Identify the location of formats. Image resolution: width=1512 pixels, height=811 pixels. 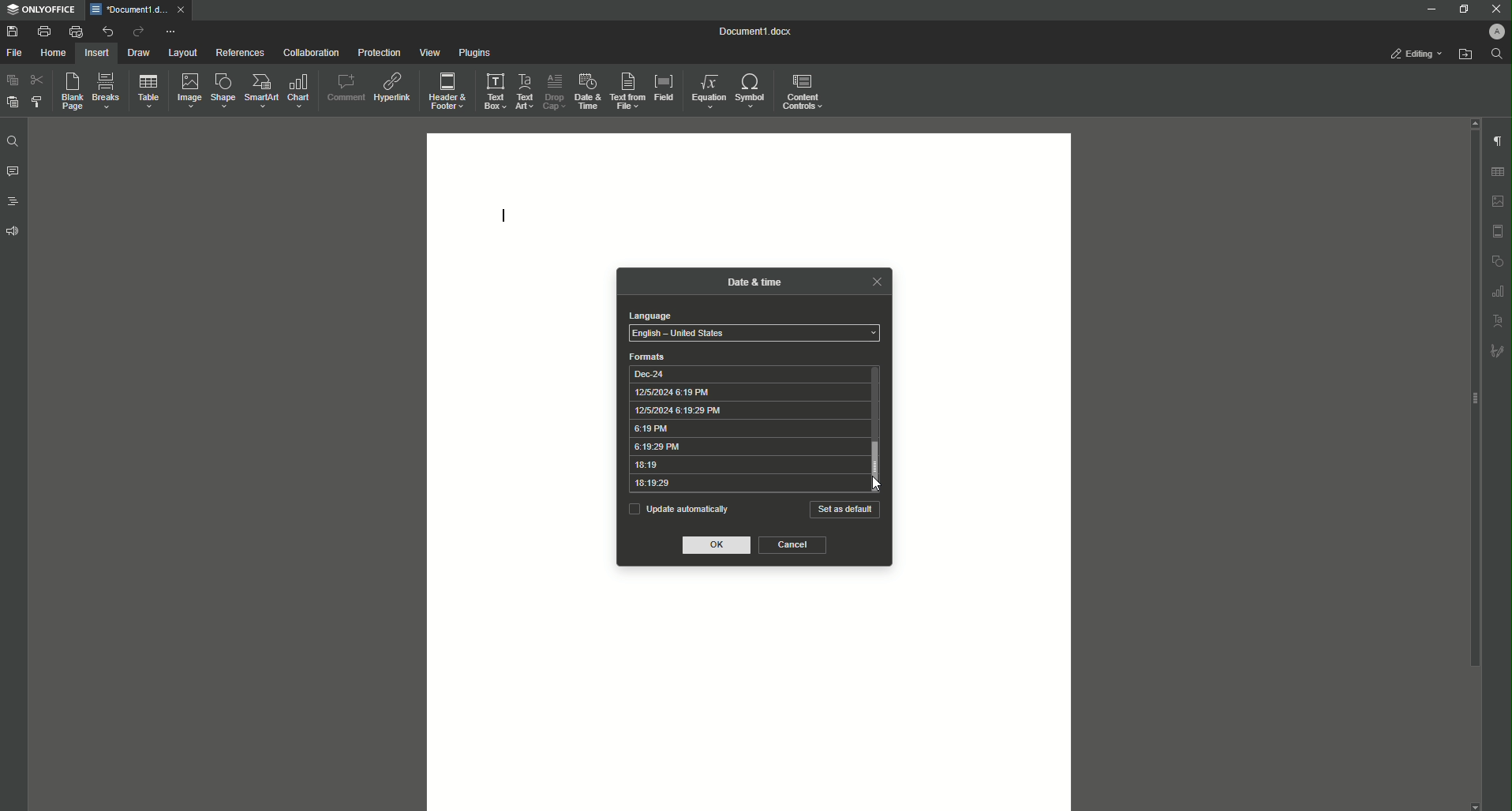
(648, 357).